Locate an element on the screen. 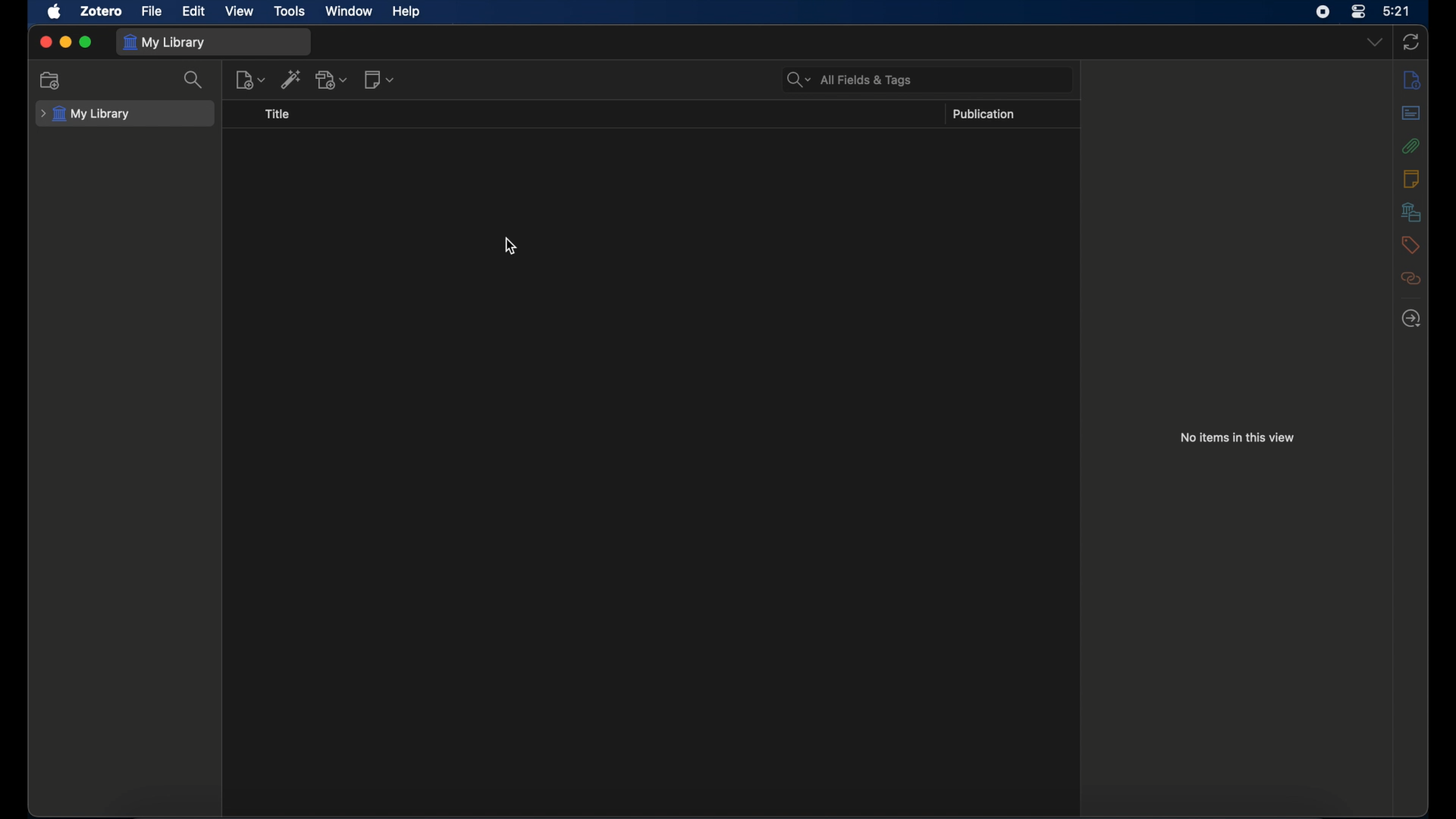 This screenshot has width=1456, height=819. my library is located at coordinates (164, 42).